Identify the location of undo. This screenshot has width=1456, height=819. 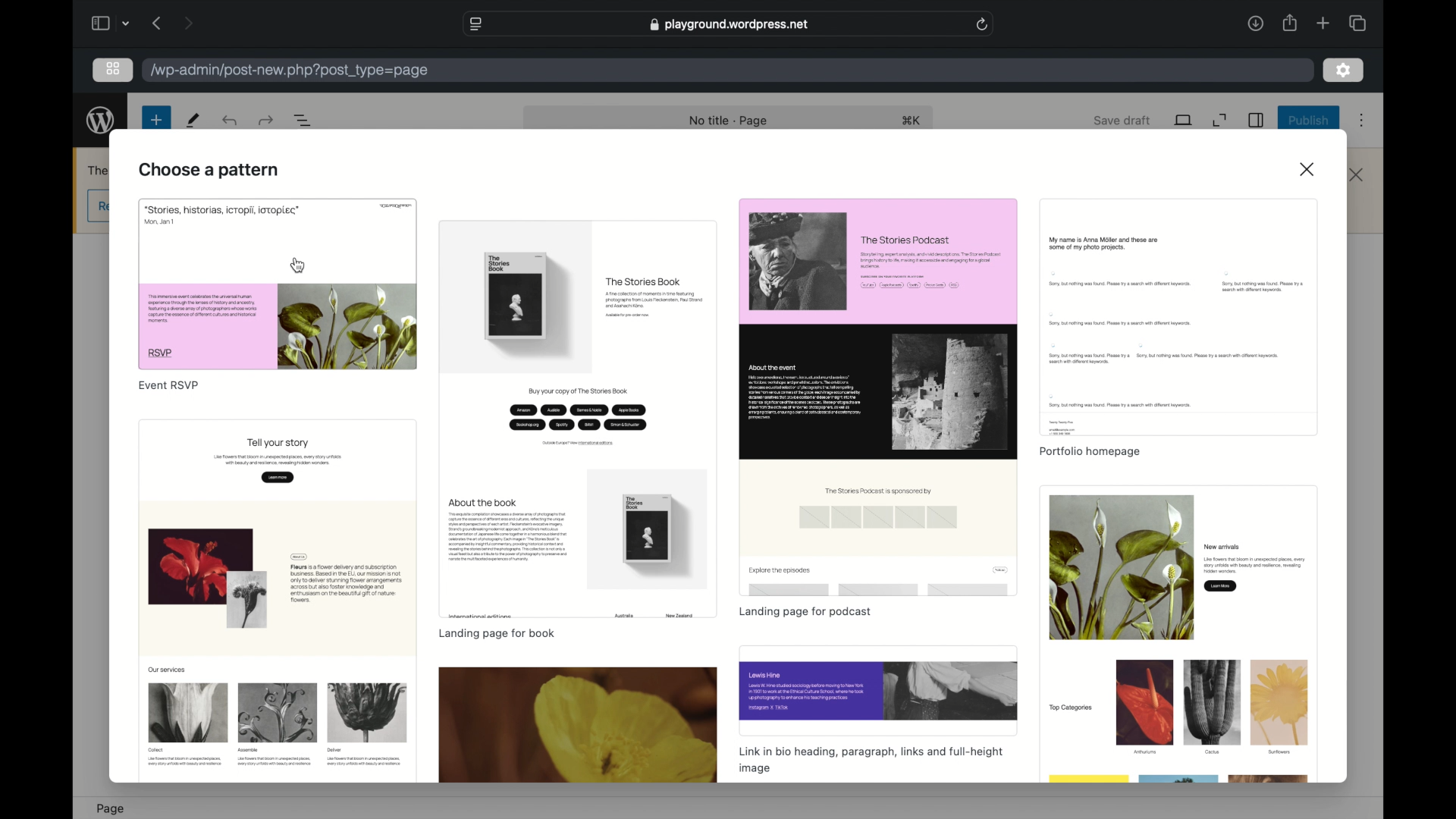
(268, 121).